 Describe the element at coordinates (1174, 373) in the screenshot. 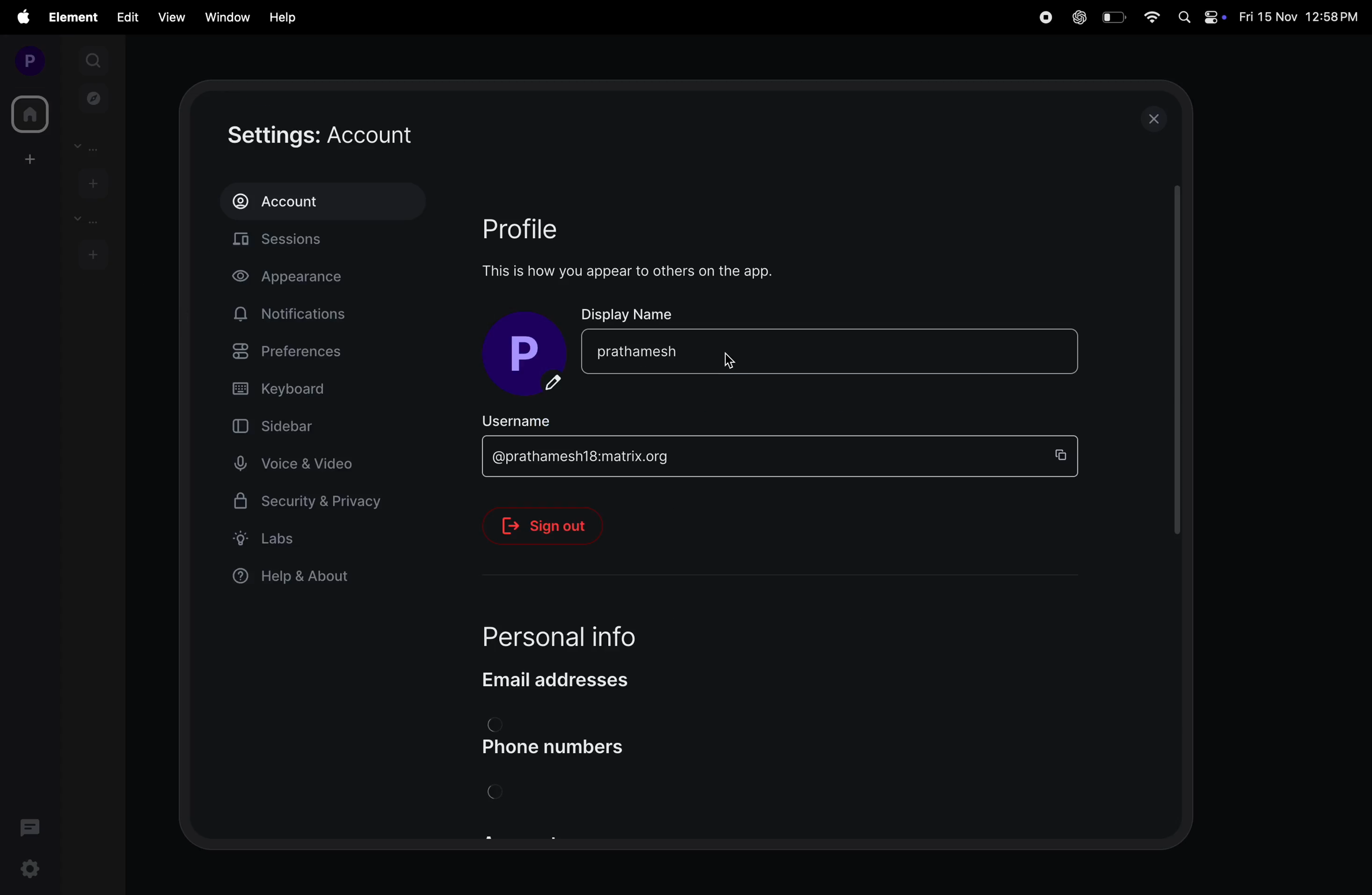

I see `` at that location.